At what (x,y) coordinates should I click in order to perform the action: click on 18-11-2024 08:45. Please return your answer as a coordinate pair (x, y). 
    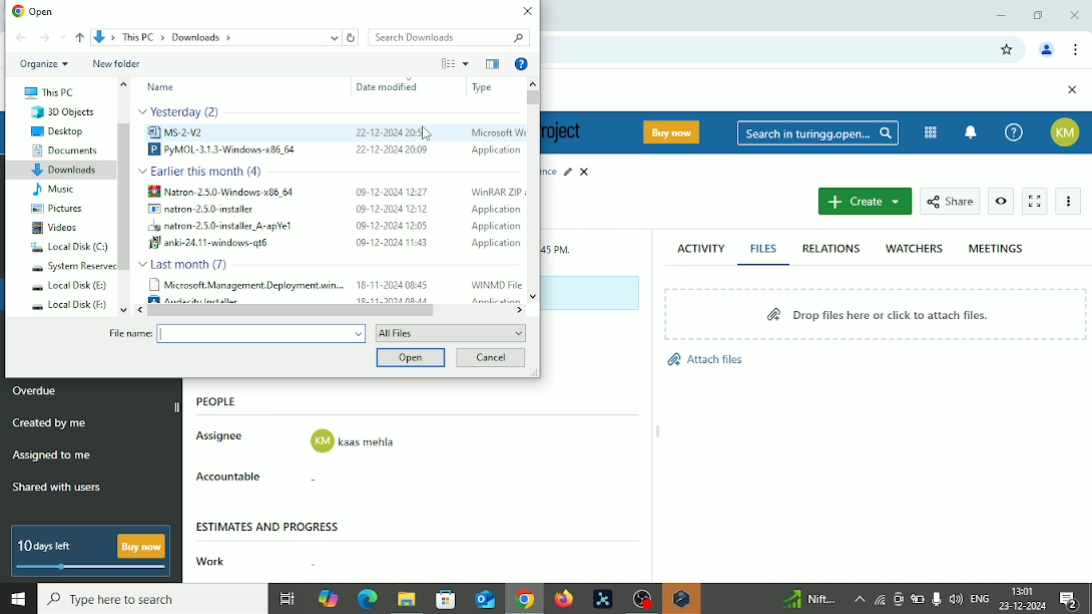
    Looking at the image, I should click on (393, 285).